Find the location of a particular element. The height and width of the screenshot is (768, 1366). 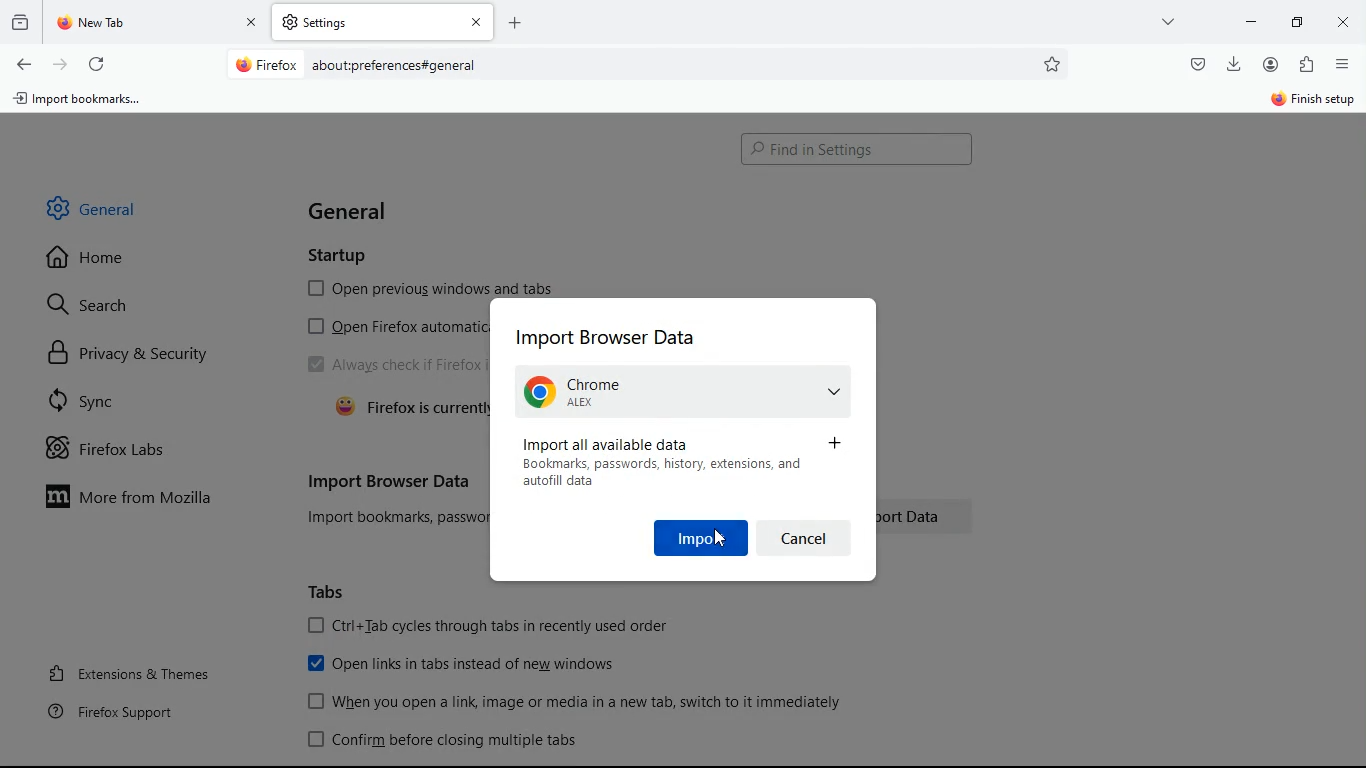

Search bar is located at coordinates (859, 149).